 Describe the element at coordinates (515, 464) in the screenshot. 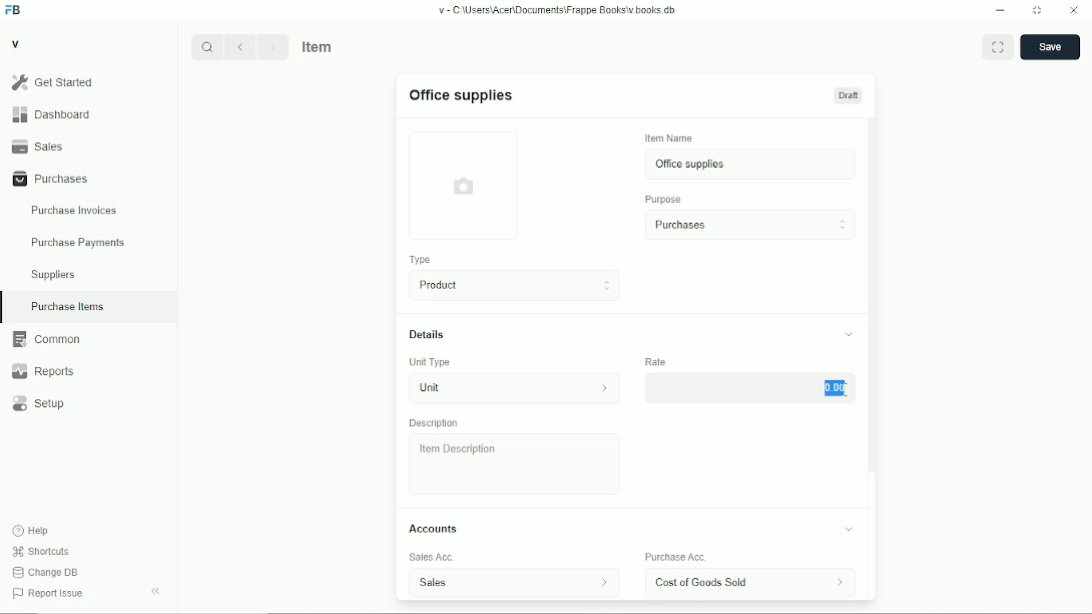

I see `item description` at that location.